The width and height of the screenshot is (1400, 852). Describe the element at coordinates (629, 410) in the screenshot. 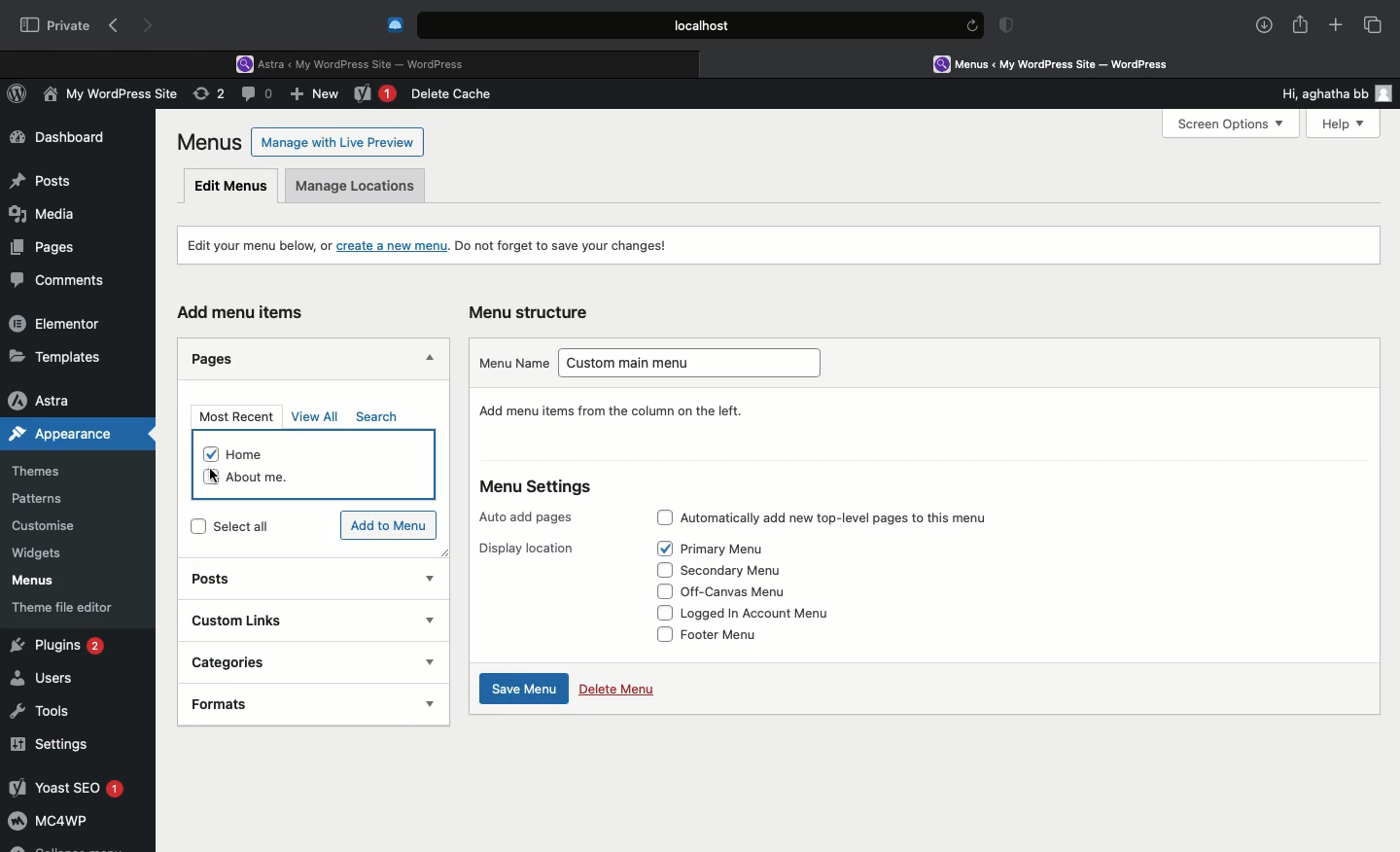

I see `Give your menu a name, then click Create Menu` at that location.